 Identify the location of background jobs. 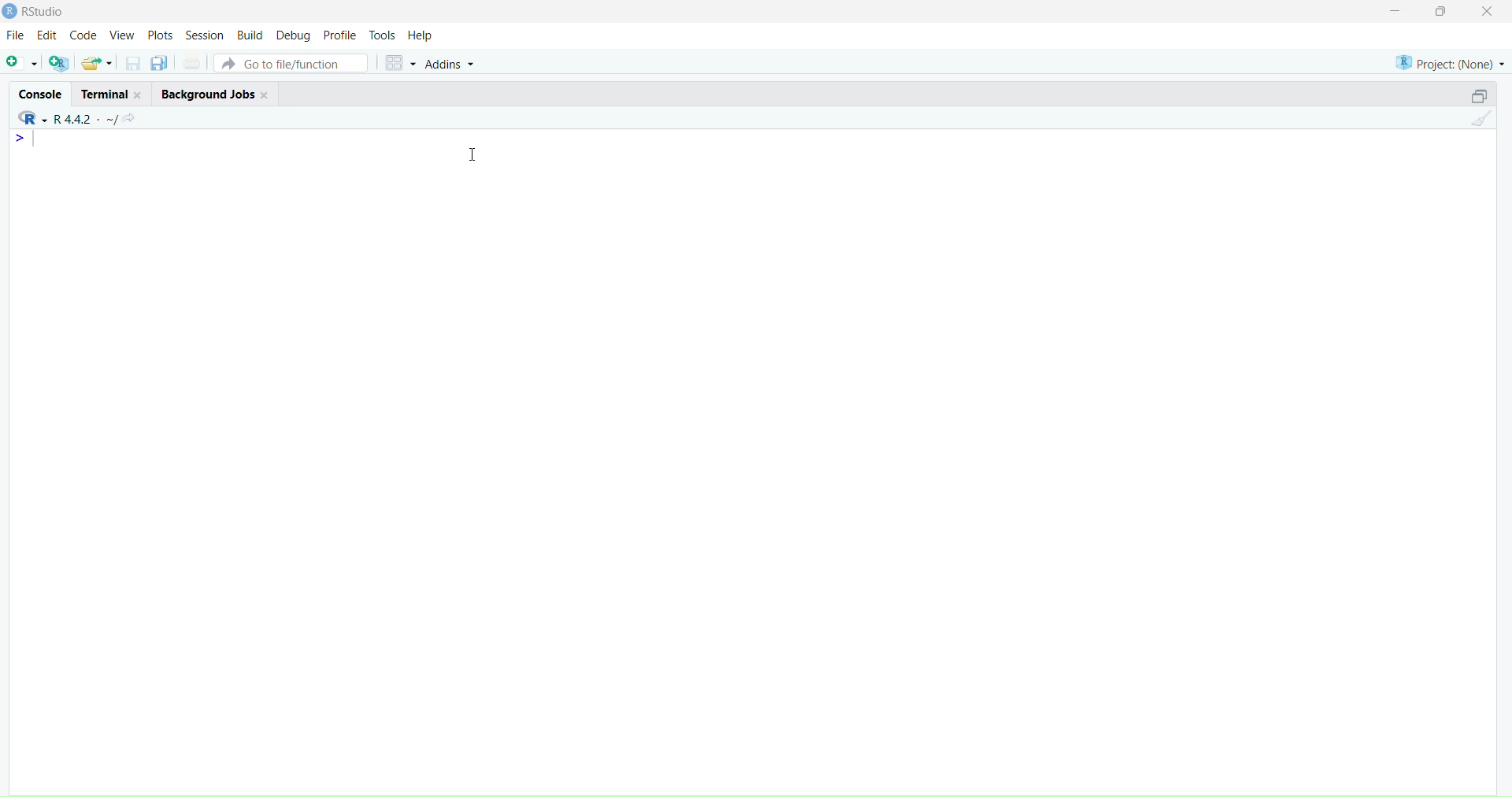
(208, 95).